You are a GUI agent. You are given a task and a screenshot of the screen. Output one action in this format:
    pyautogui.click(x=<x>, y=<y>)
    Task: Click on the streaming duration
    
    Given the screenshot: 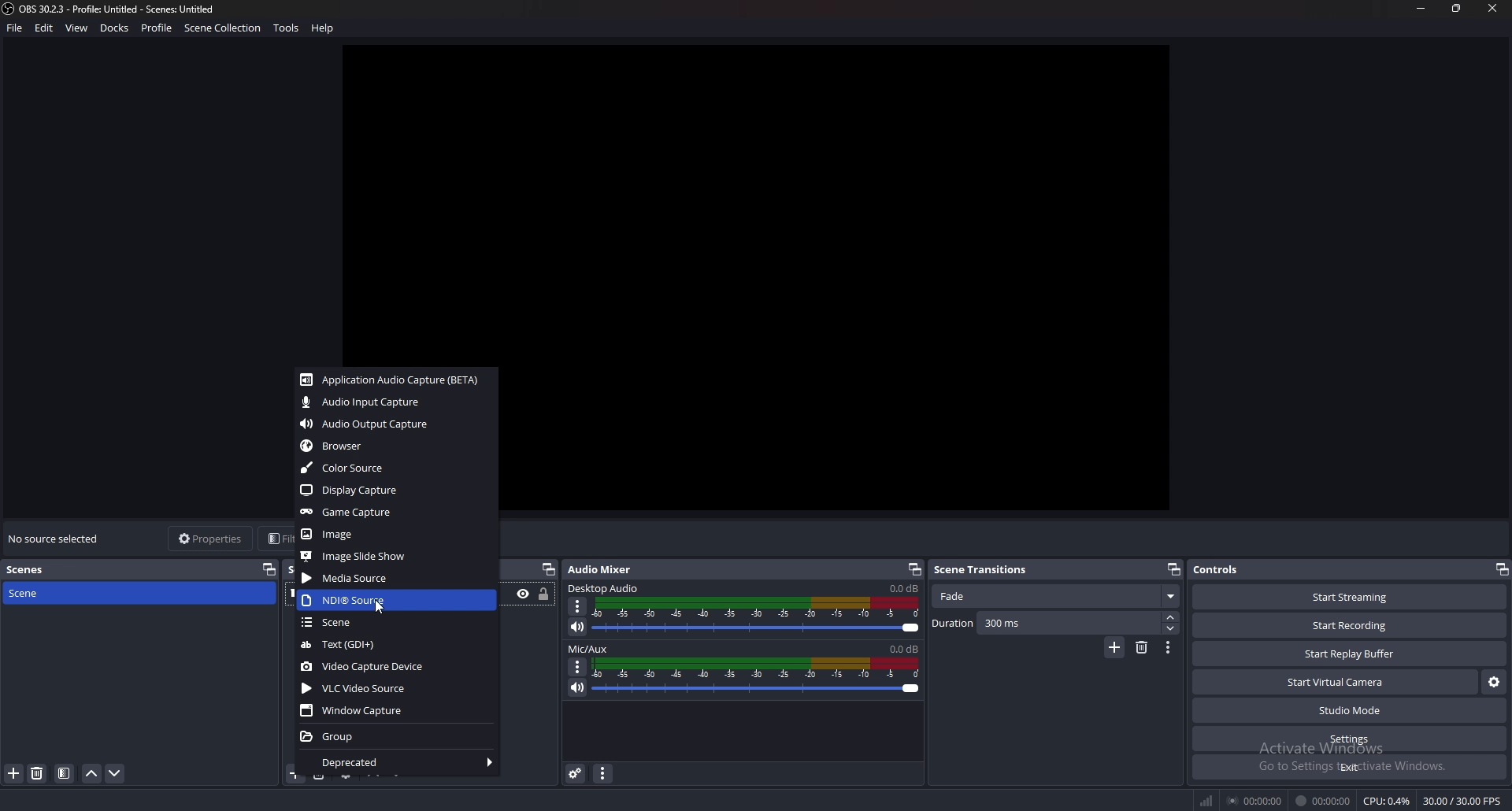 What is the action you would take?
    pyautogui.click(x=1256, y=802)
    